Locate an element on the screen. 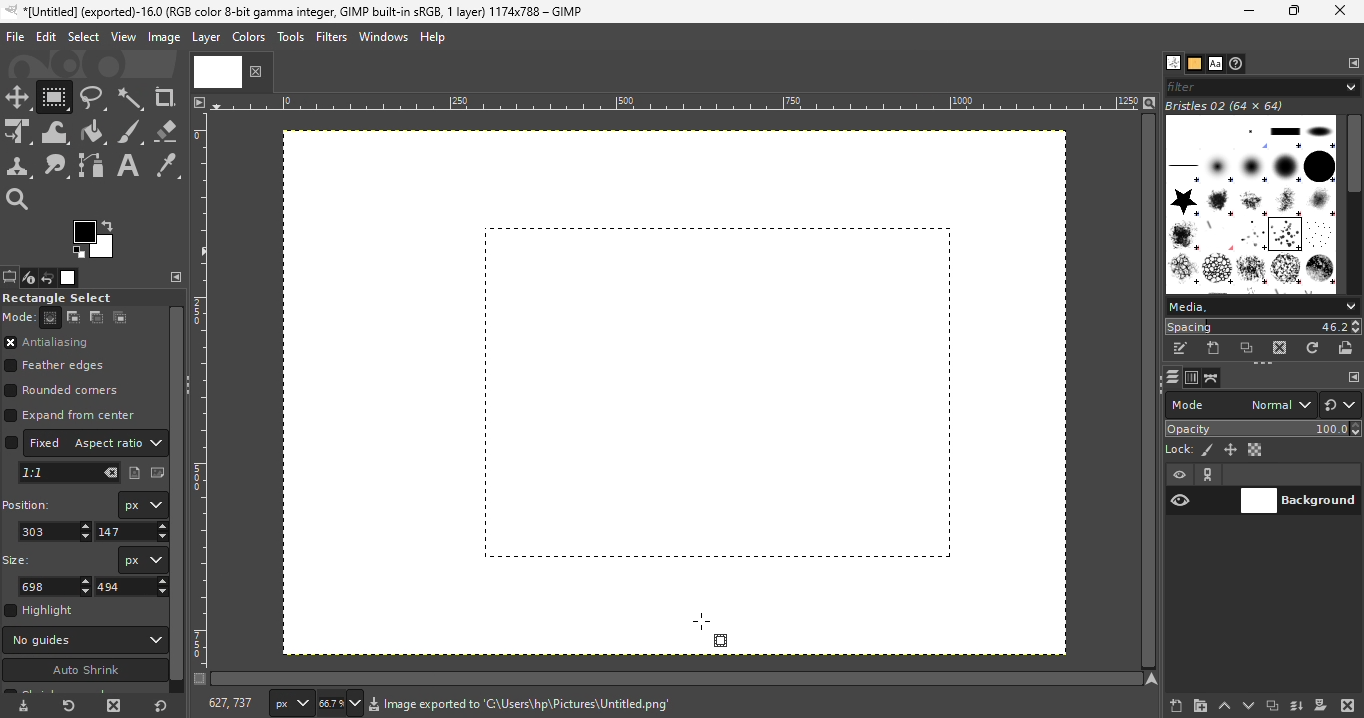 This screenshot has height=718, width=1364. Rounded corners is located at coordinates (71, 392).